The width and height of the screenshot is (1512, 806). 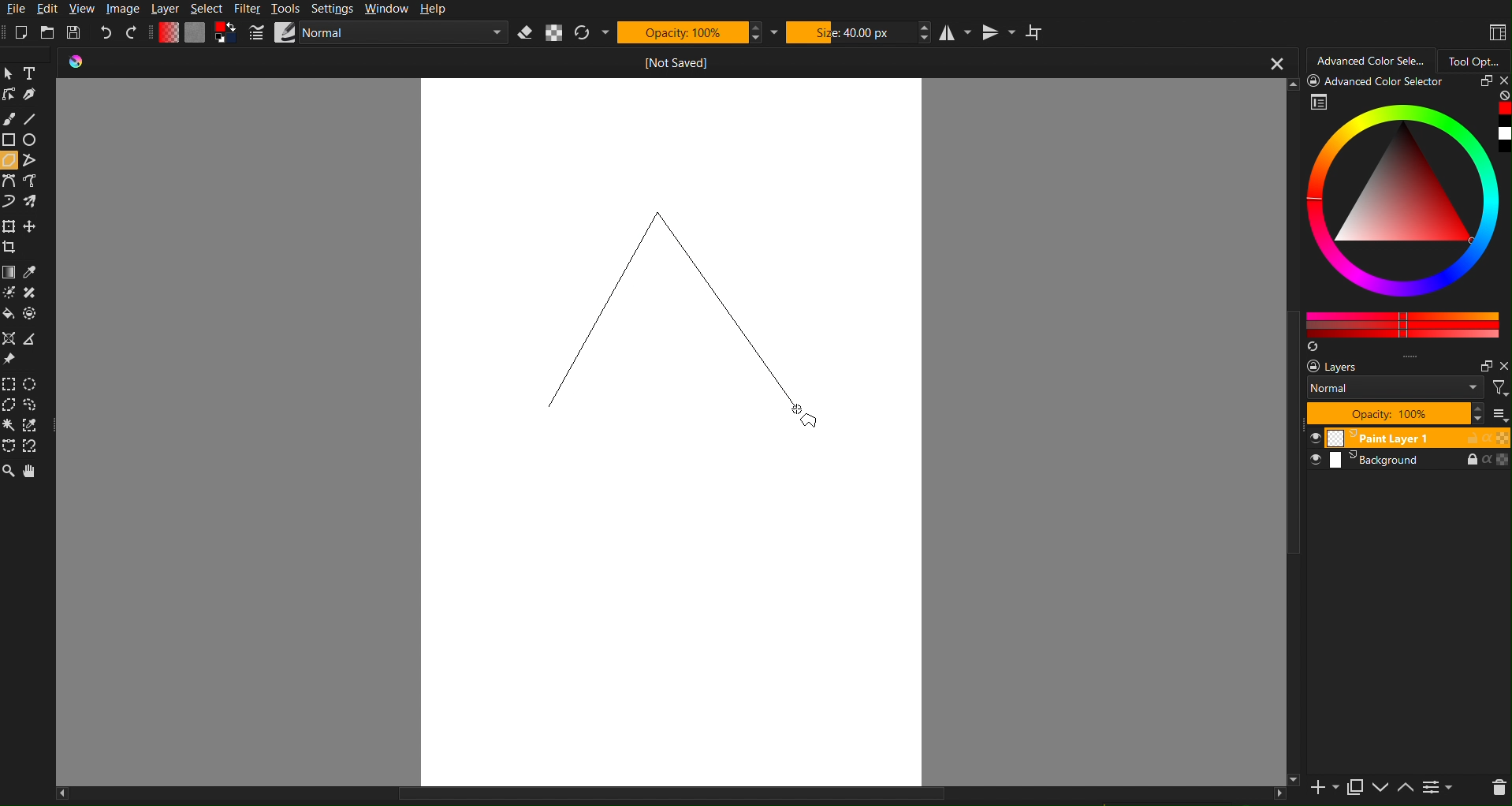 I want to click on freehand path tool, so click(x=36, y=181).